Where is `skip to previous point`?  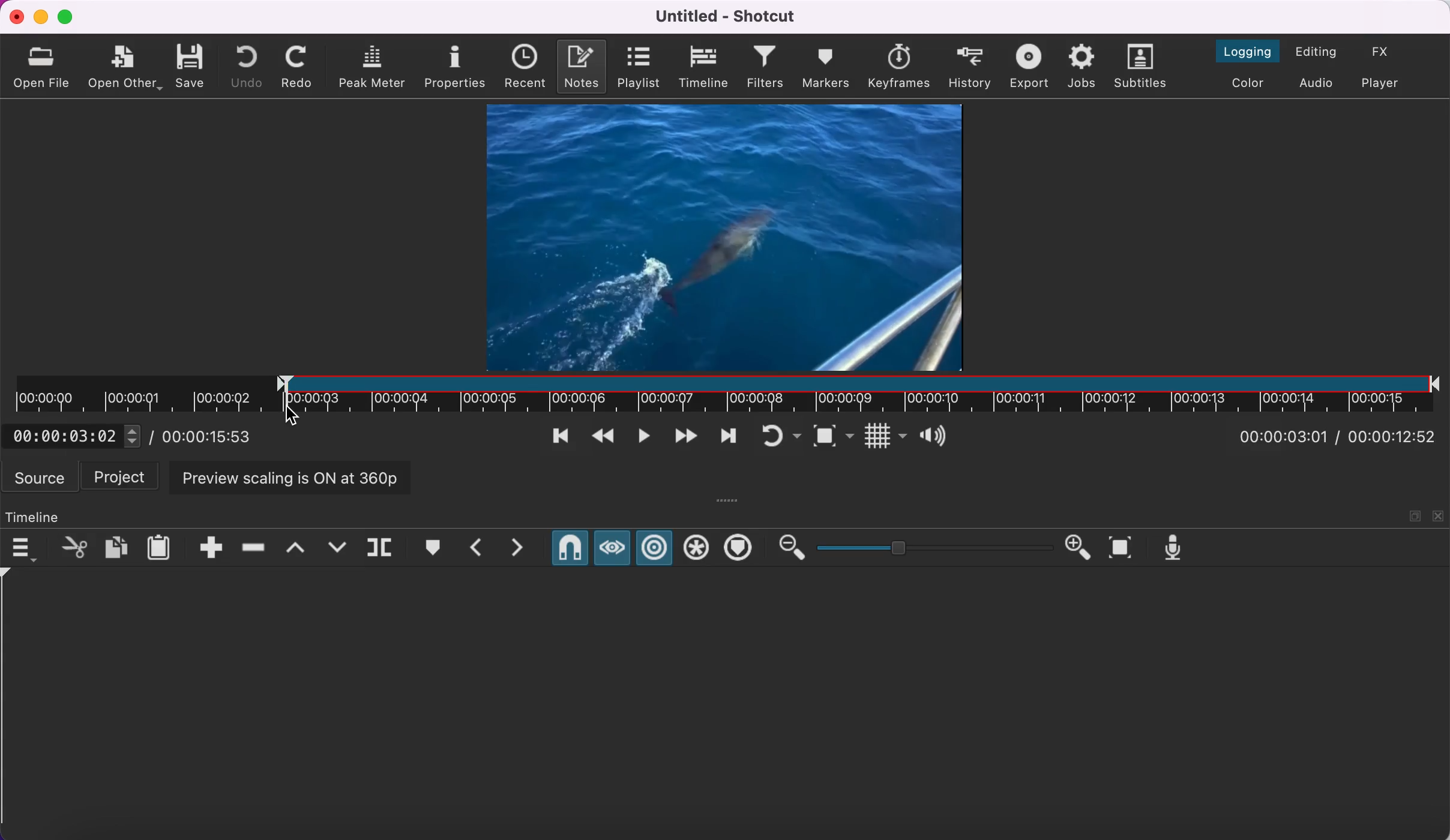 skip to previous point is located at coordinates (560, 434).